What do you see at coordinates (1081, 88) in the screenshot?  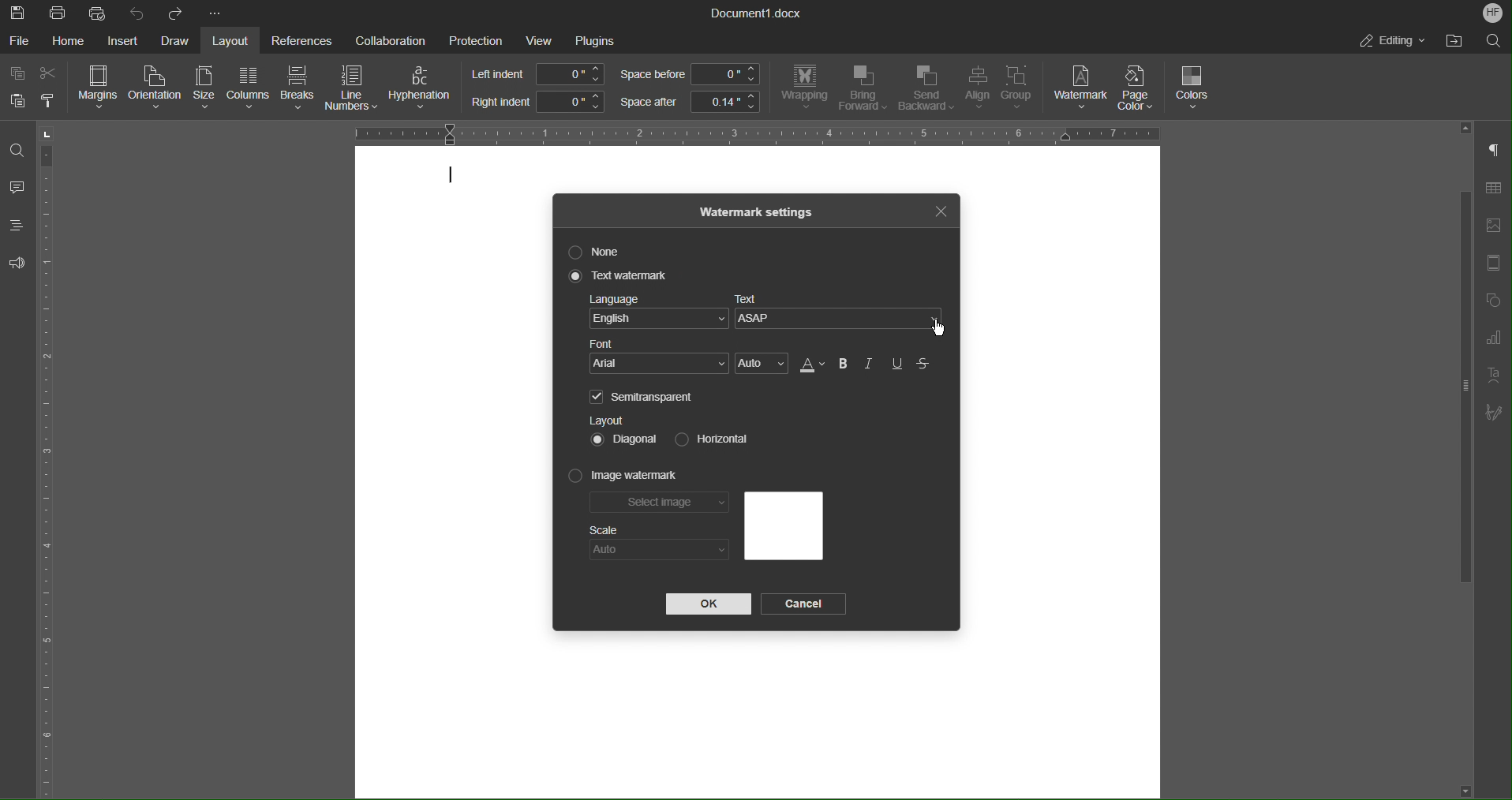 I see `Watermark` at bounding box center [1081, 88].